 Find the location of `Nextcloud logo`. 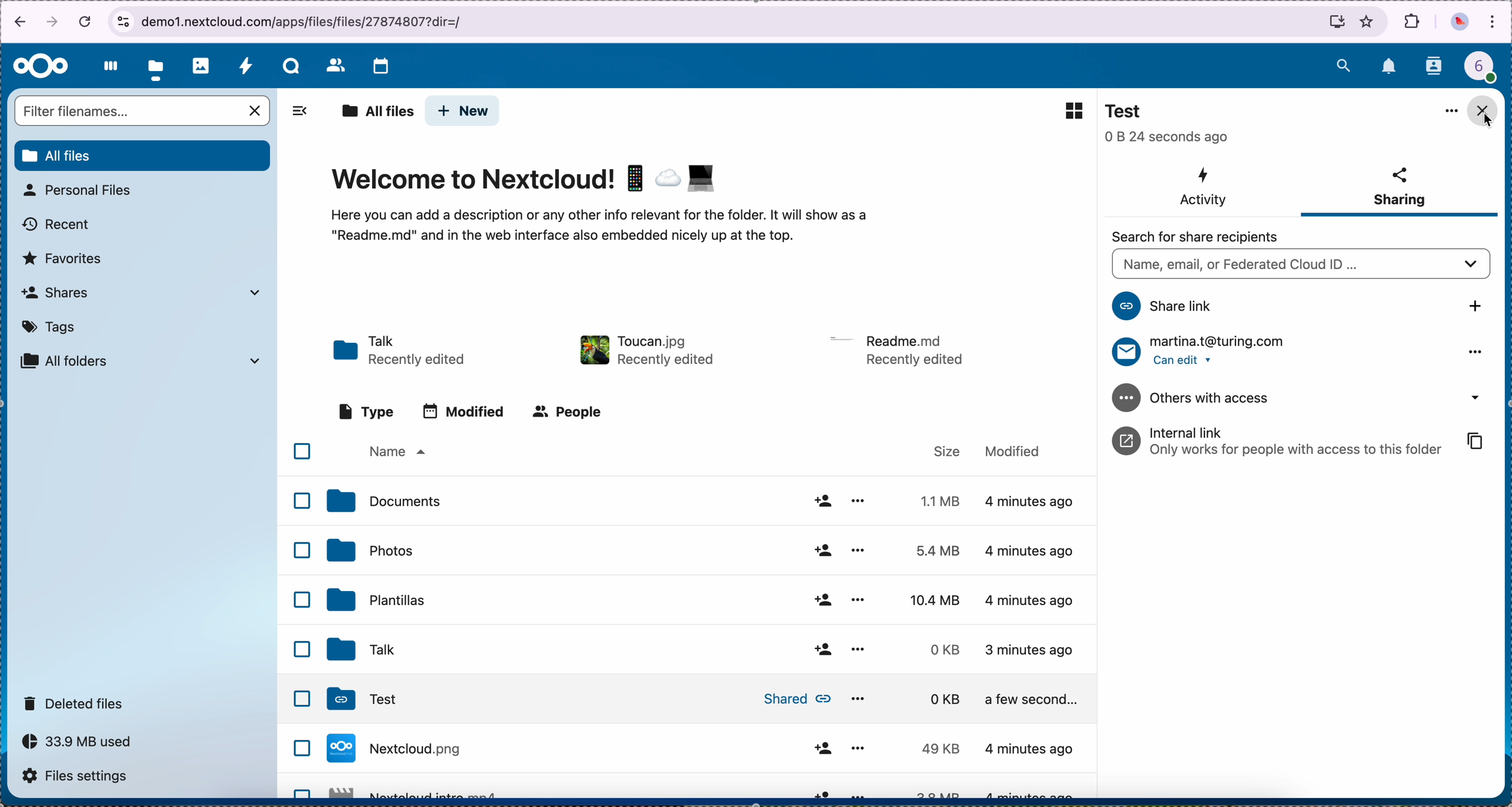

Nextcloud logo is located at coordinates (41, 67).